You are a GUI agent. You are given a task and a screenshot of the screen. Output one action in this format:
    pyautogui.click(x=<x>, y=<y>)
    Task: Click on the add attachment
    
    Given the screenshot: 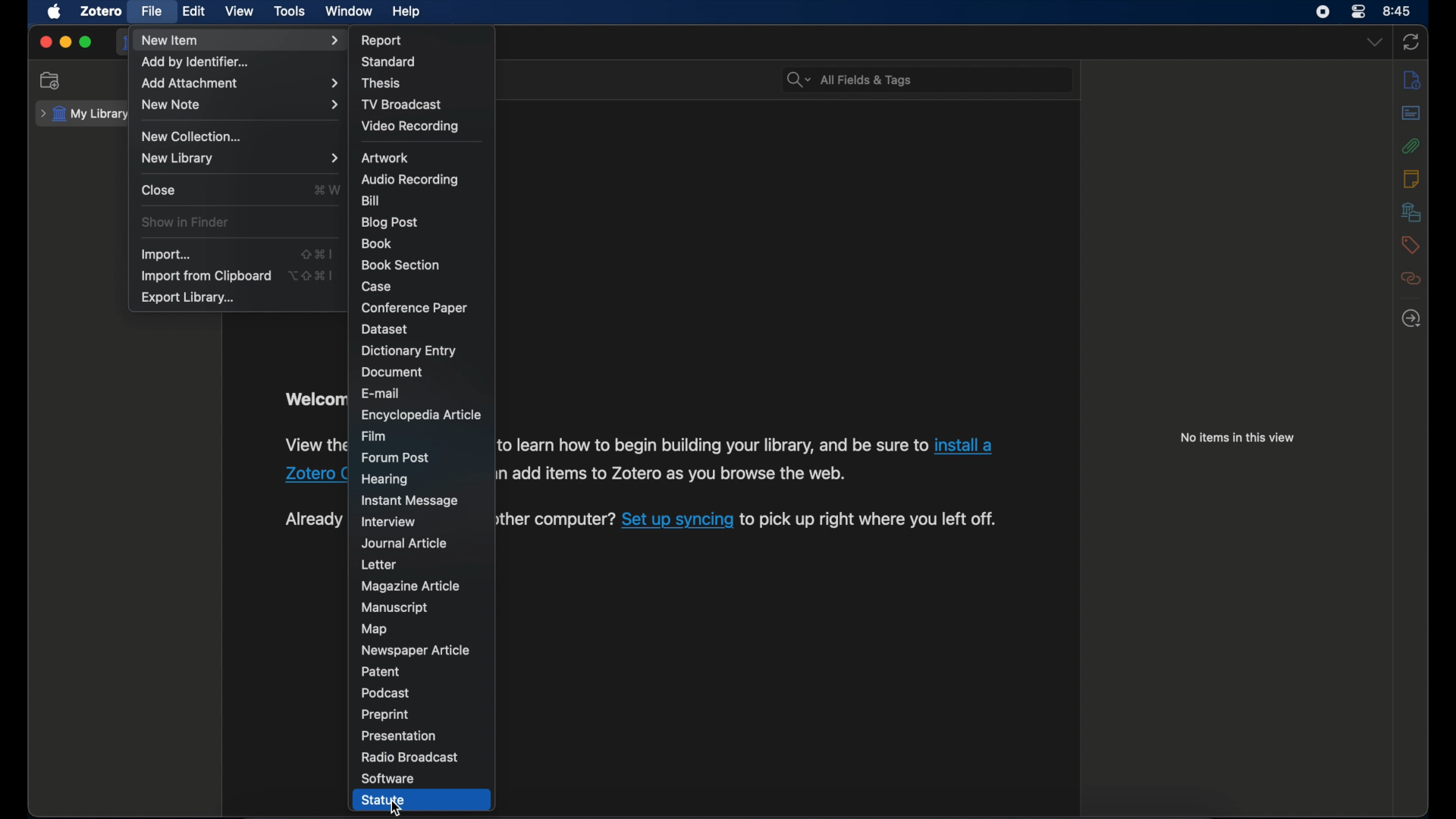 What is the action you would take?
    pyautogui.click(x=240, y=83)
    